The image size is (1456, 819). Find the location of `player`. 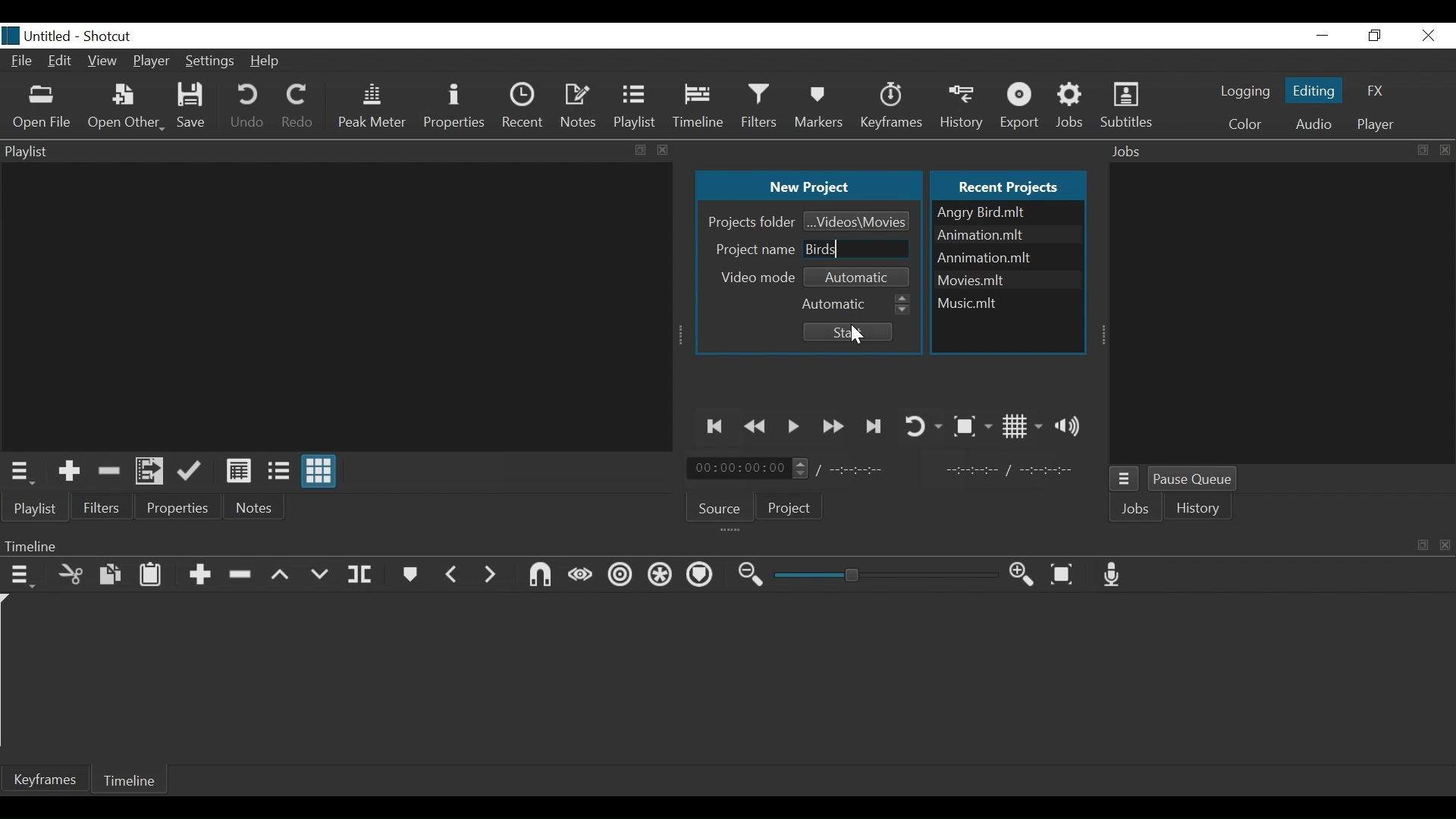

player is located at coordinates (1373, 124).